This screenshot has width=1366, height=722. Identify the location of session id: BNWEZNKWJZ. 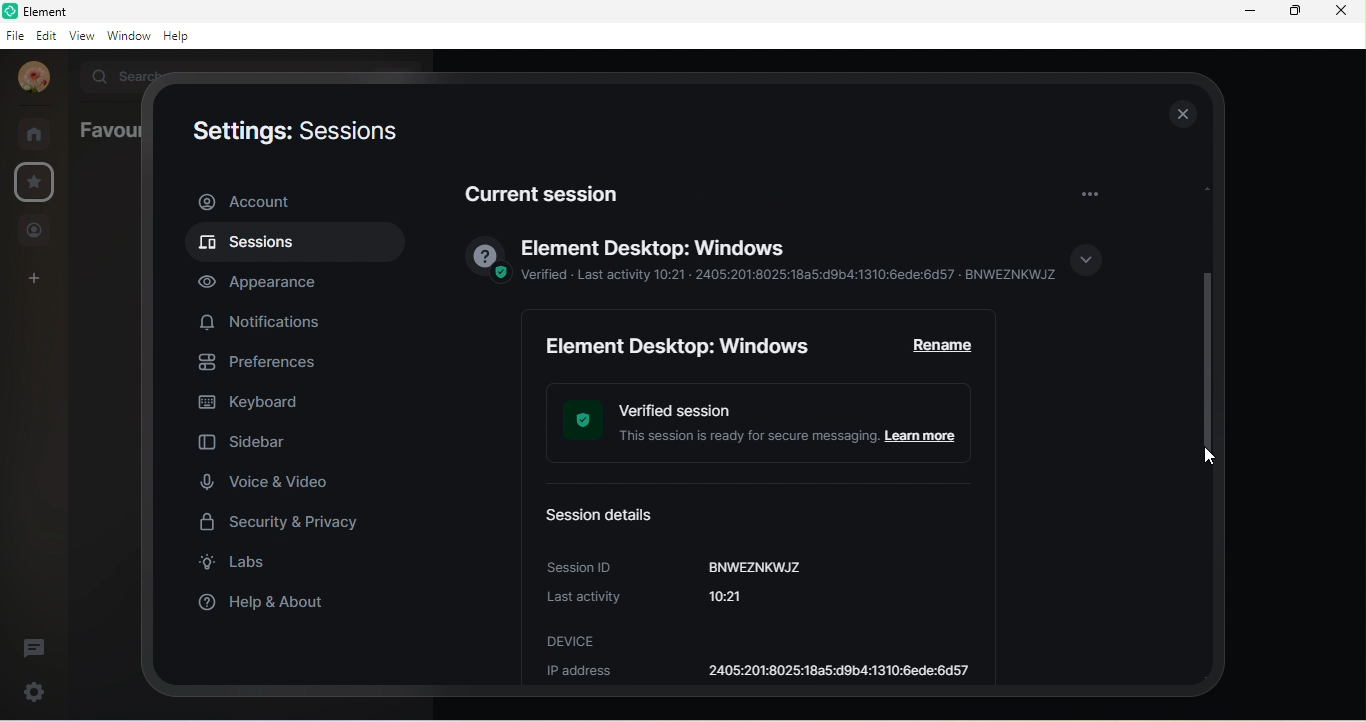
(677, 564).